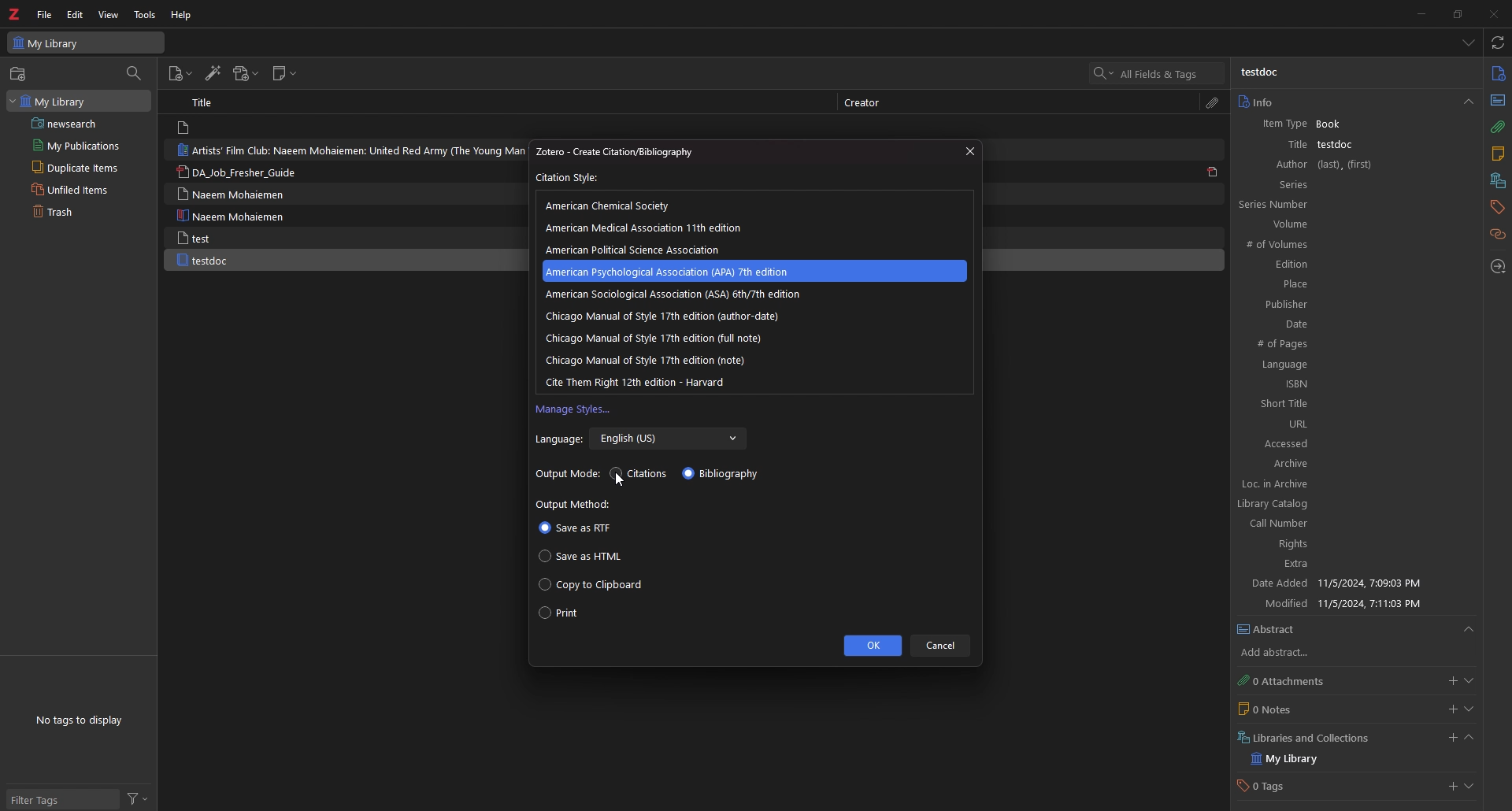 Image resolution: width=1512 pixels, height=811 pixels. What do you see at coordinates (1341, 524) in the screenshot?
I see `Call Number` at bounding box center [1341, 524].